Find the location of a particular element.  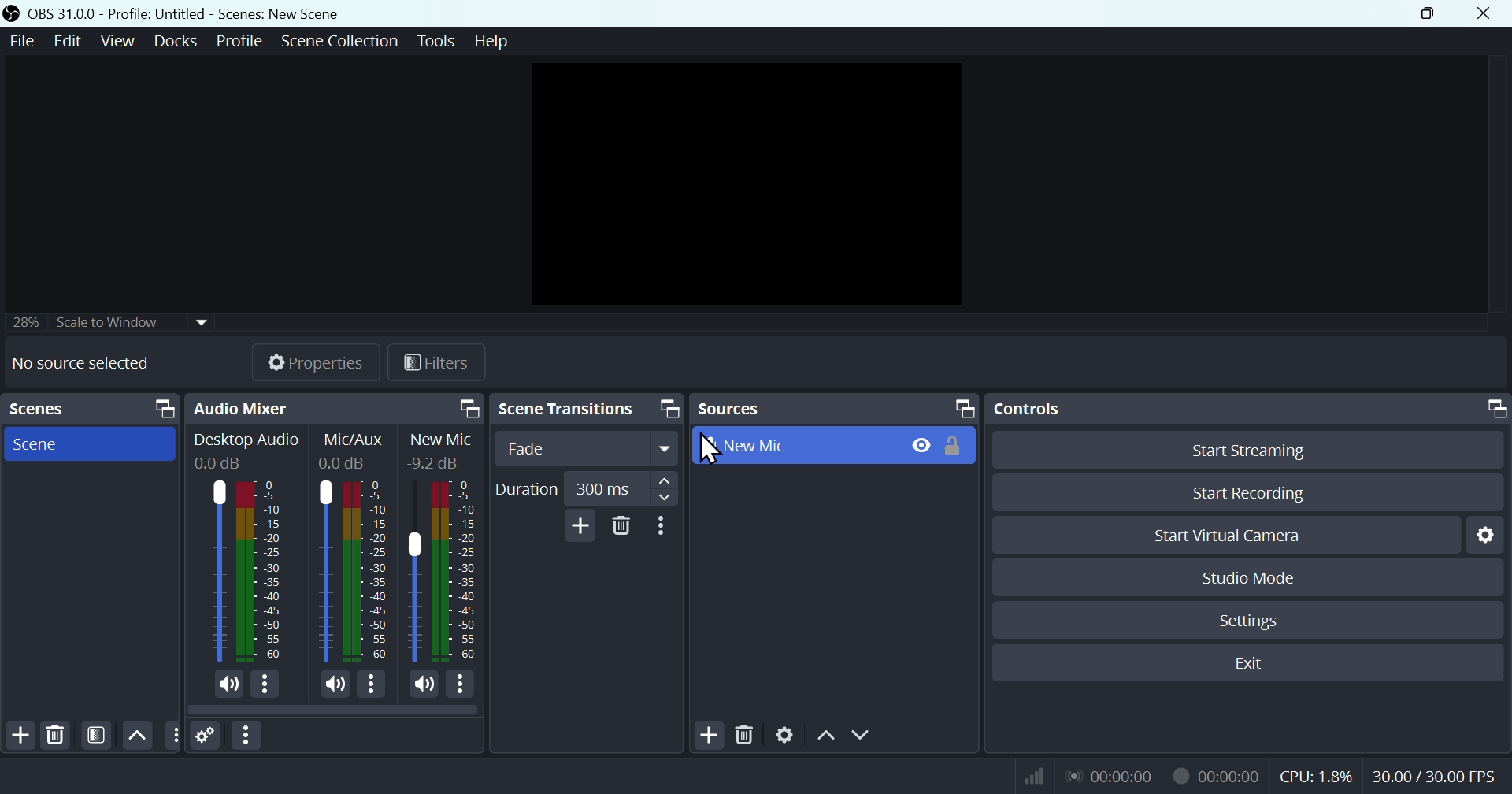

Cursor is located at coordinates (704, 445).